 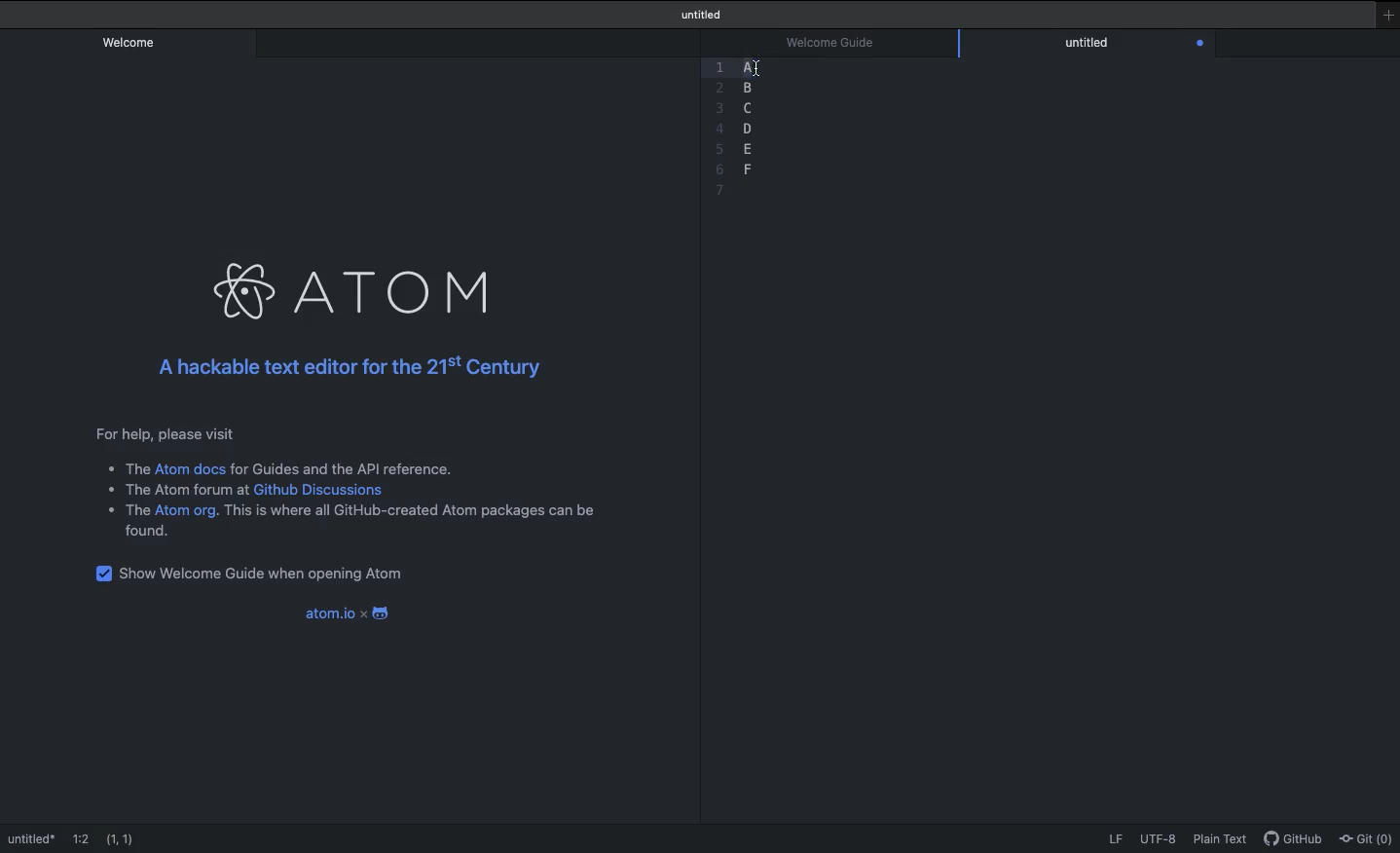 What do you see at coordinates (747, 148) in the screenshot?
I see `e` at bounding box center [747, 148].